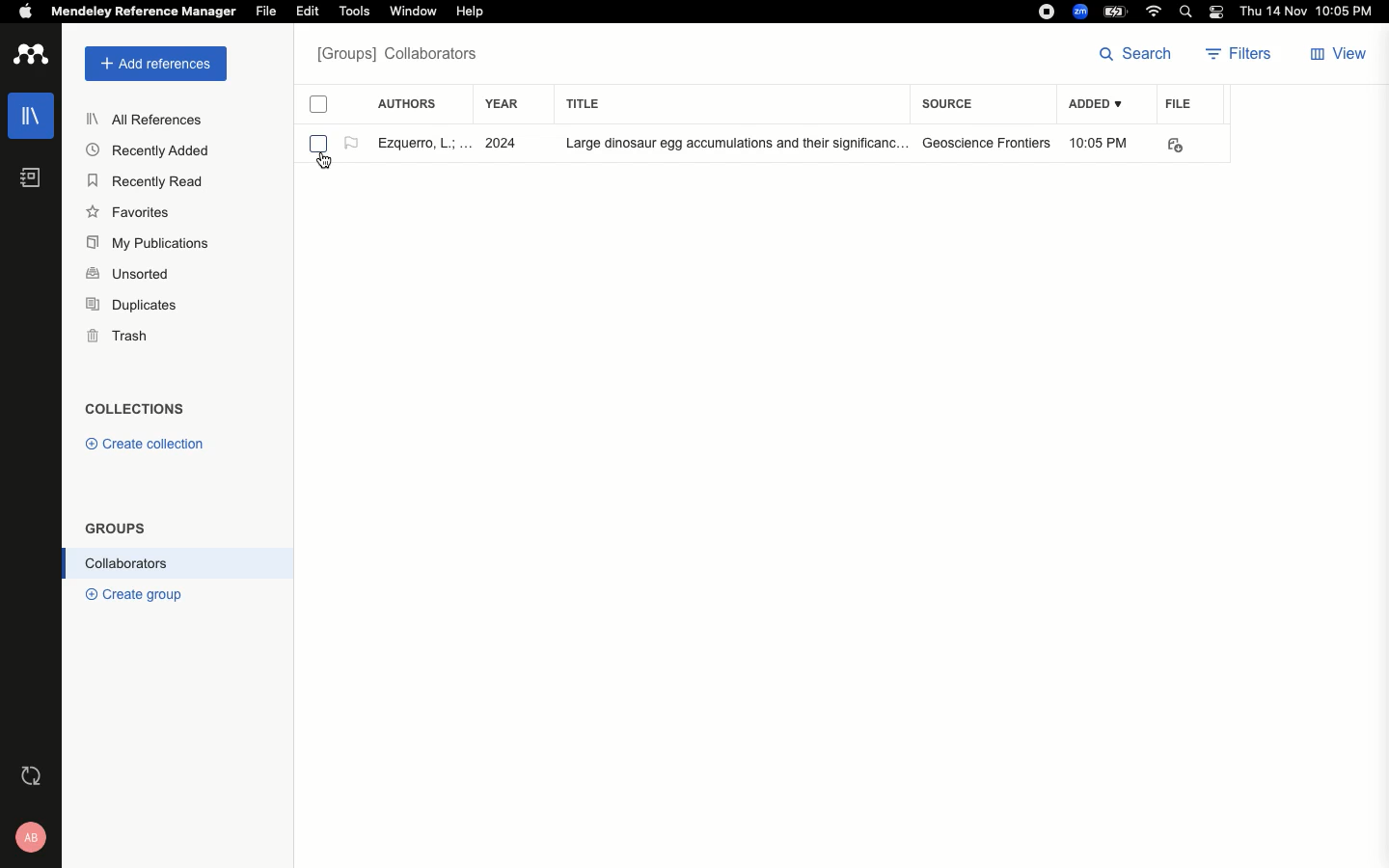 This screenshot has height=868, width=1389. What do you see at coordinates (1311, 12) in the screenshot?
I see `Date/time` at bounding box center [1311, 12].